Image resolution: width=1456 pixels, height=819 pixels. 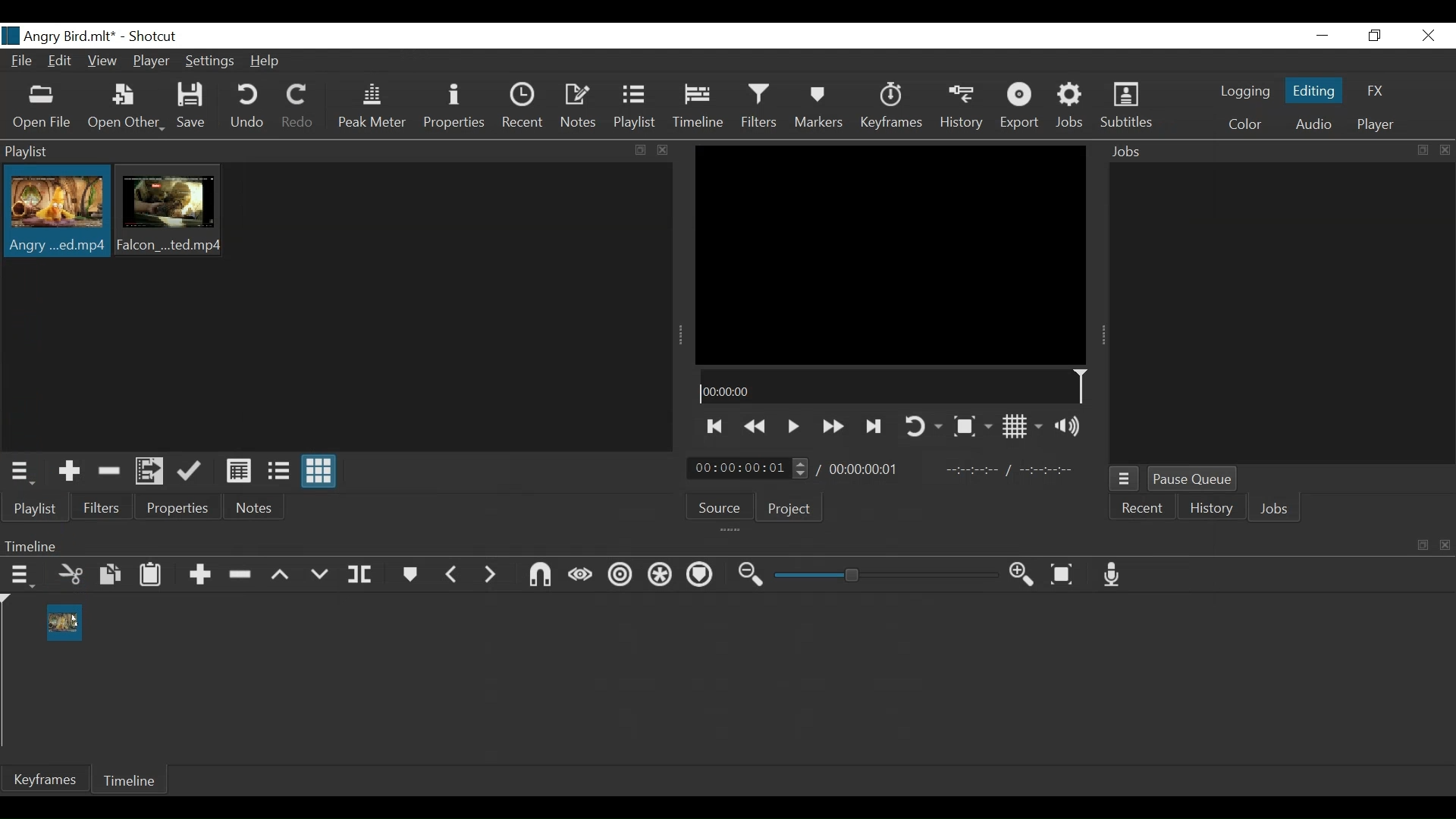 What do you see at coordinates (372, 106) in the screenshot?
I see `Peak Meter` at bounding box center [372, 106].